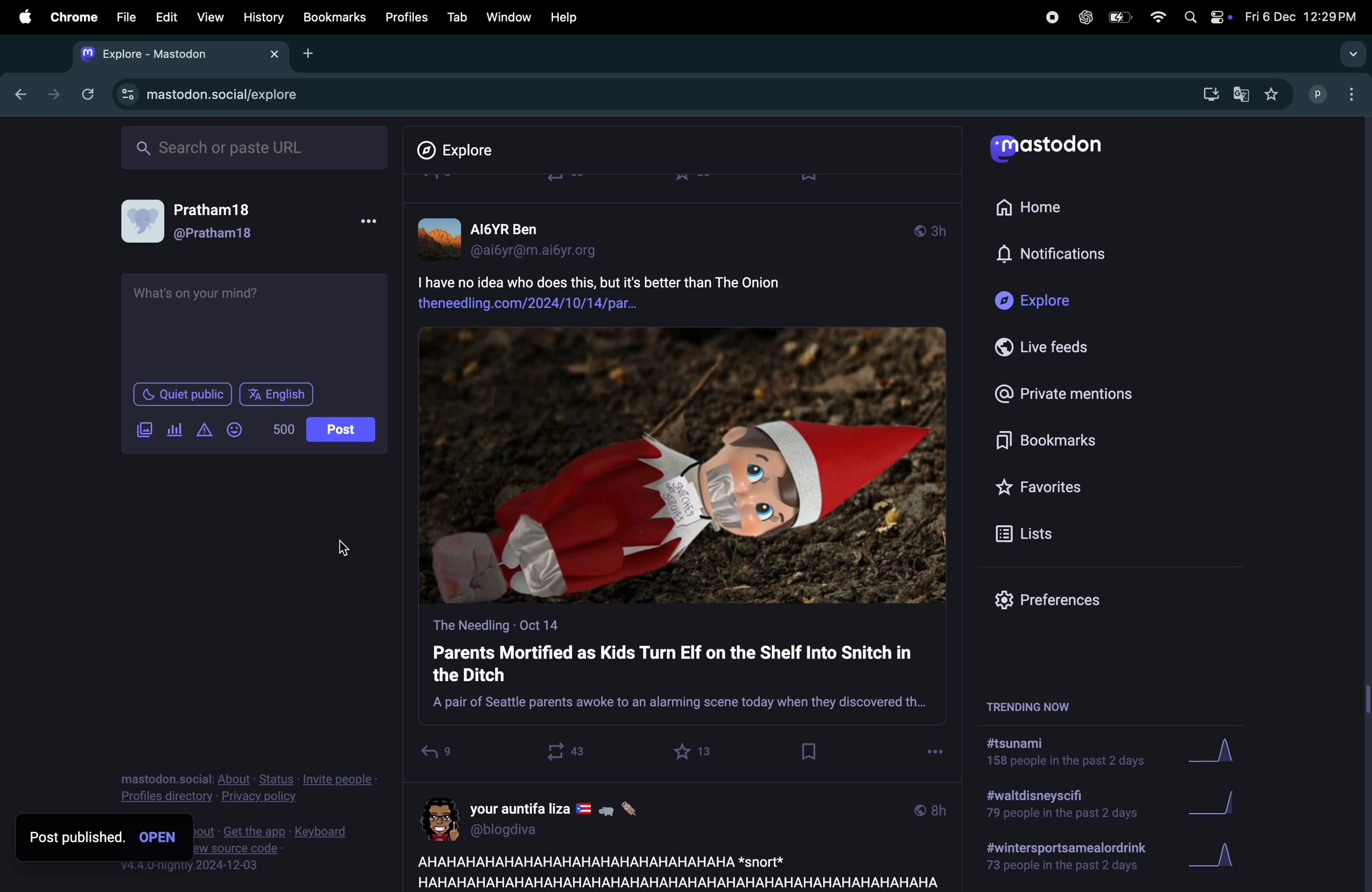 This screenshot has width=1372, height=892. What do you see at coordinates (1072, 755) in the screenshot?
I see `#tsunami` at bounding box center [1072, 755].